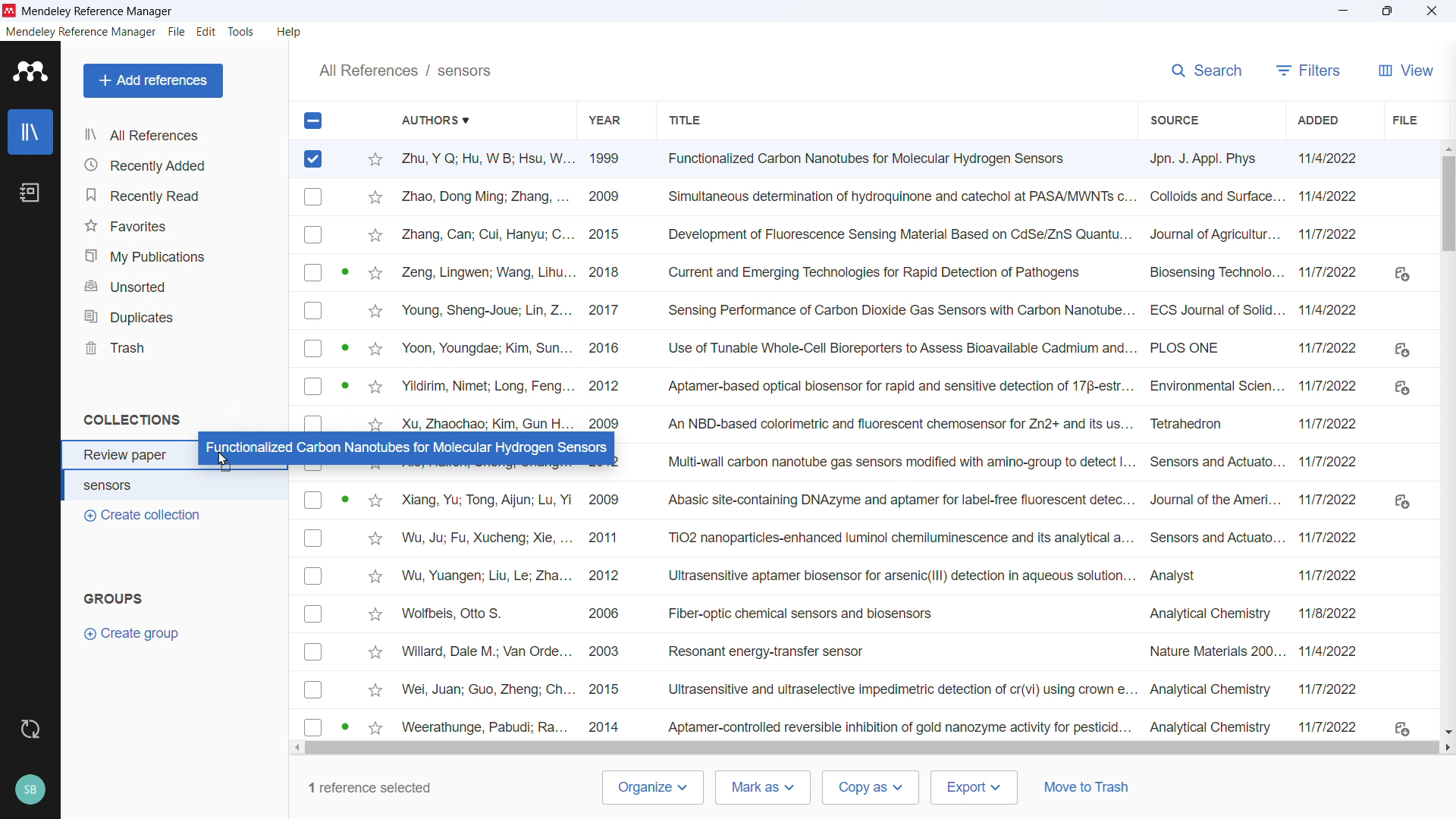 The height and width of the screenshot is (819, 1456). I want to click on Create groups , so click(138, 633).